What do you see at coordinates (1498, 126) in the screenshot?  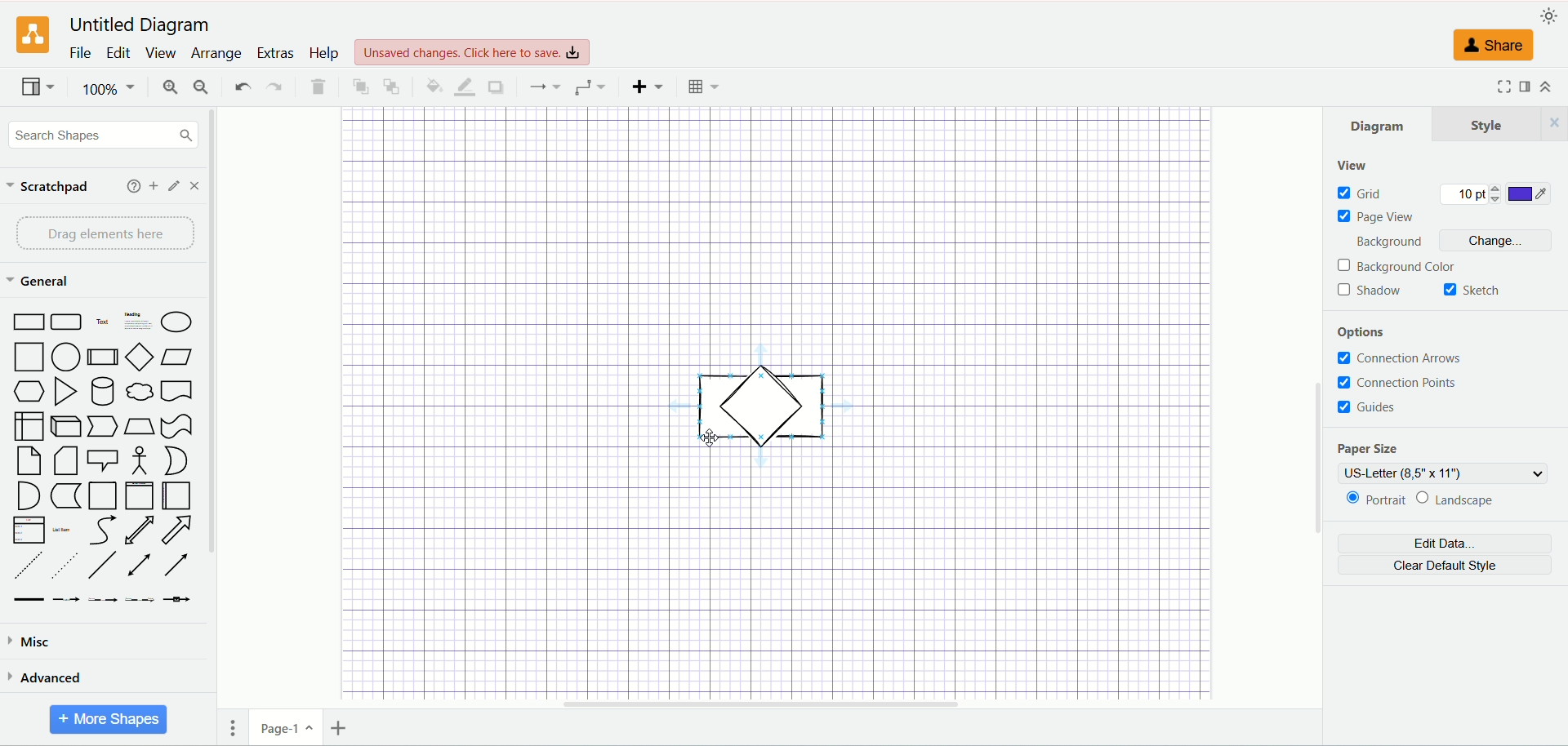 I see `style` at bounding box center [1498, 126].